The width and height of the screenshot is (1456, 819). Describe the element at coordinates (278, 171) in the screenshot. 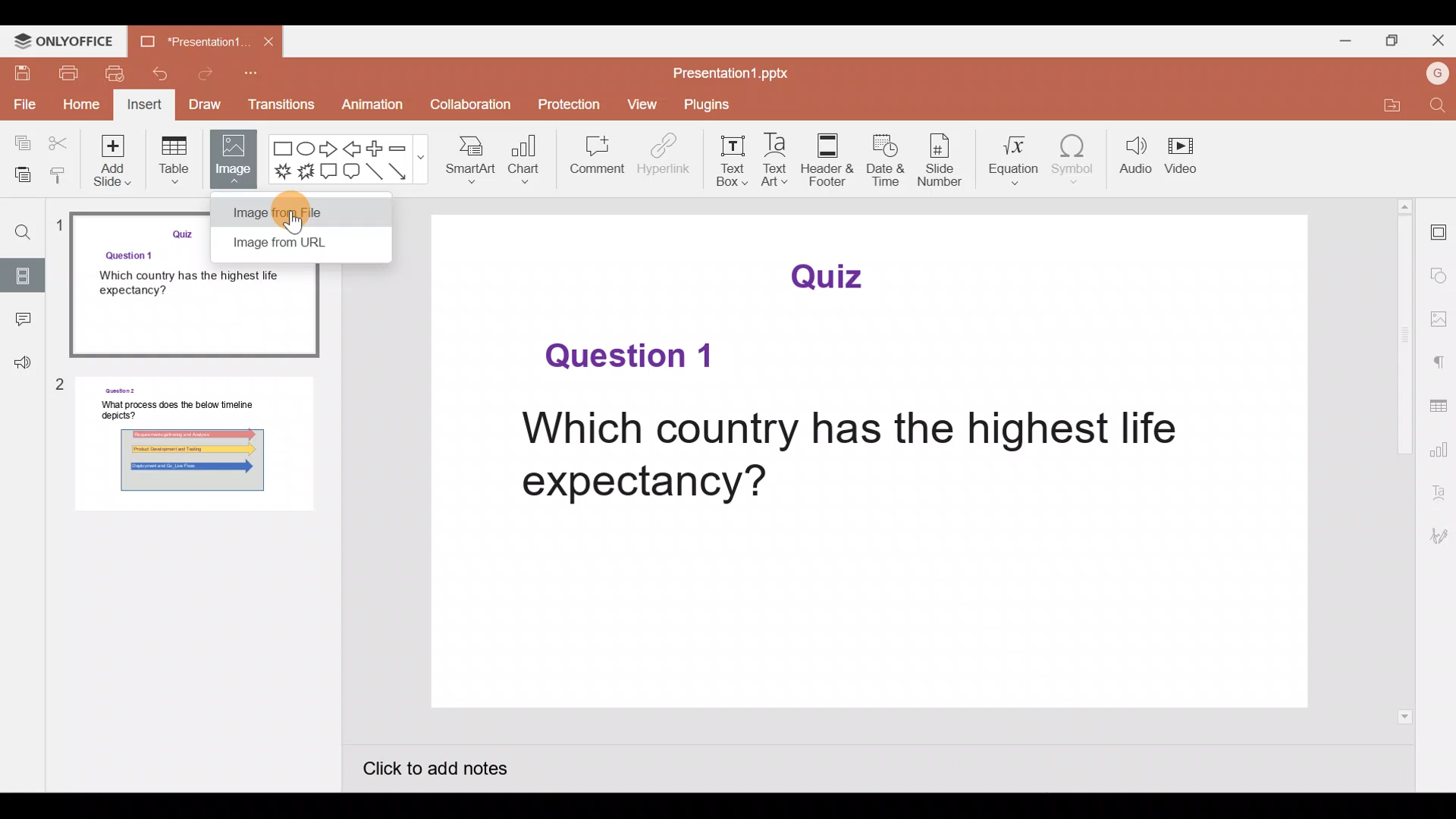

I see `Explosion 1` at that location.